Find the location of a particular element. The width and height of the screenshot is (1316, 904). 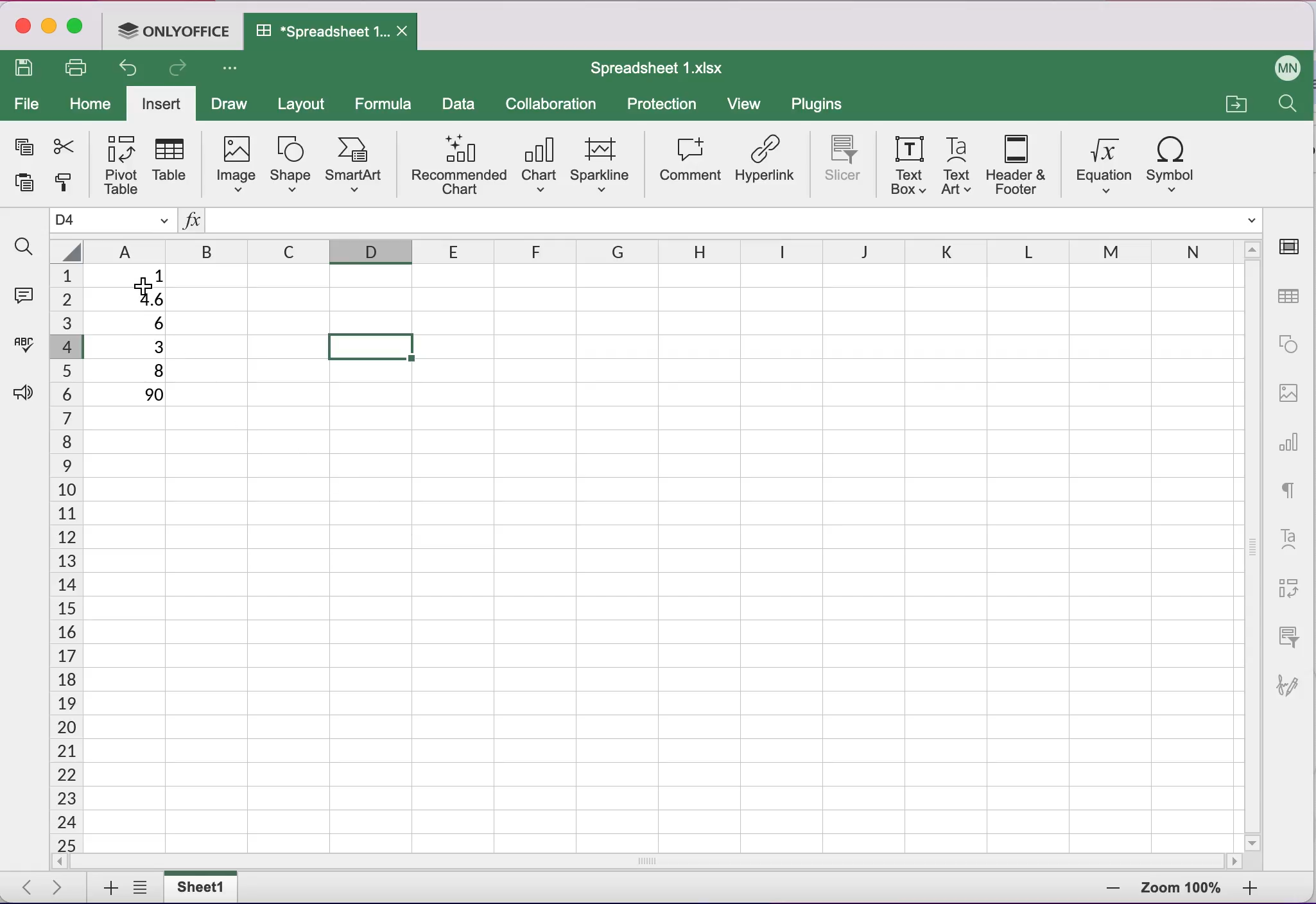

image is located at coordinates (1290, 392).